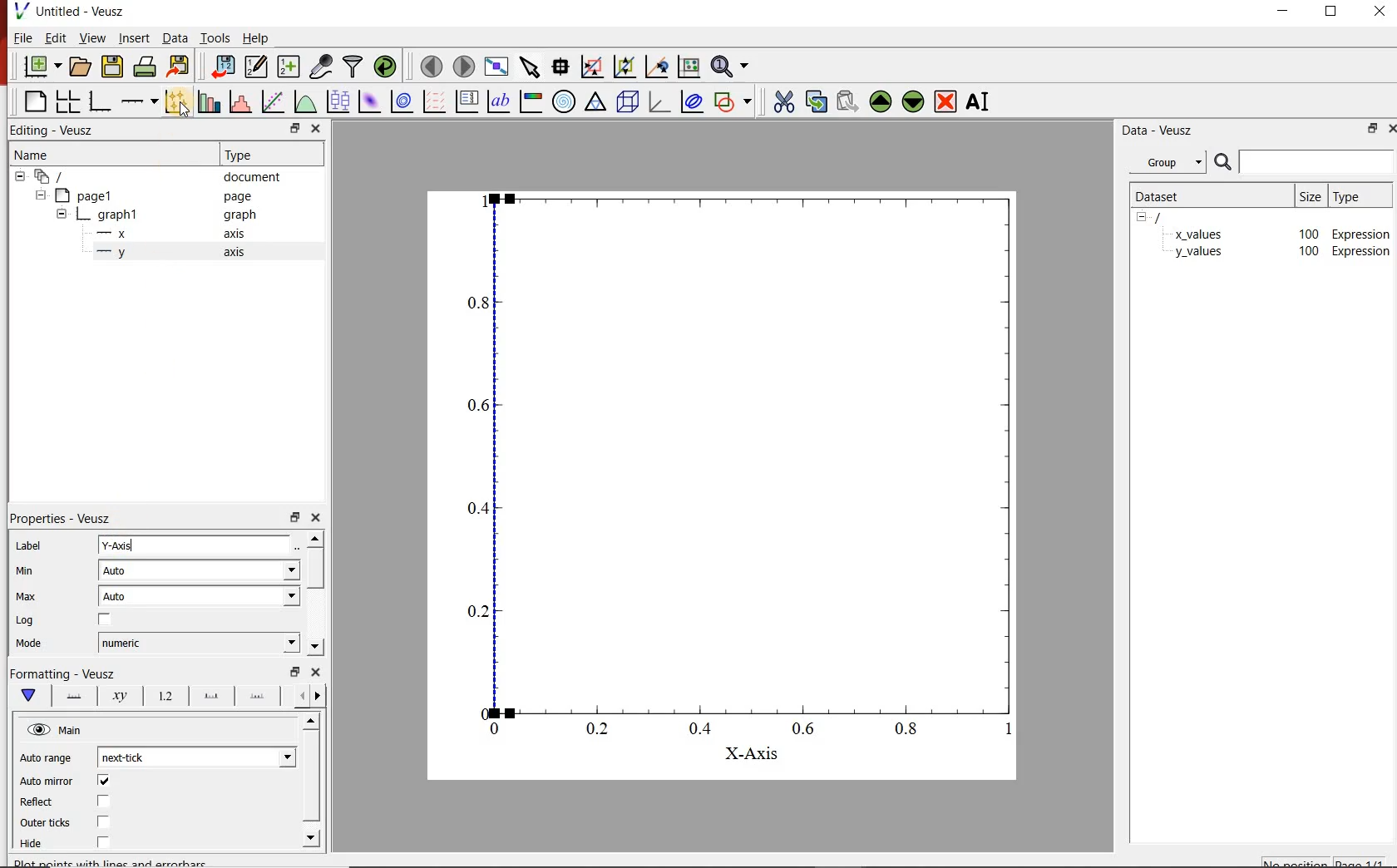  What do you see at coordinates (913, 104) in the screenshot?
I see `move down the selected widget` at bounding box center [913, 104].